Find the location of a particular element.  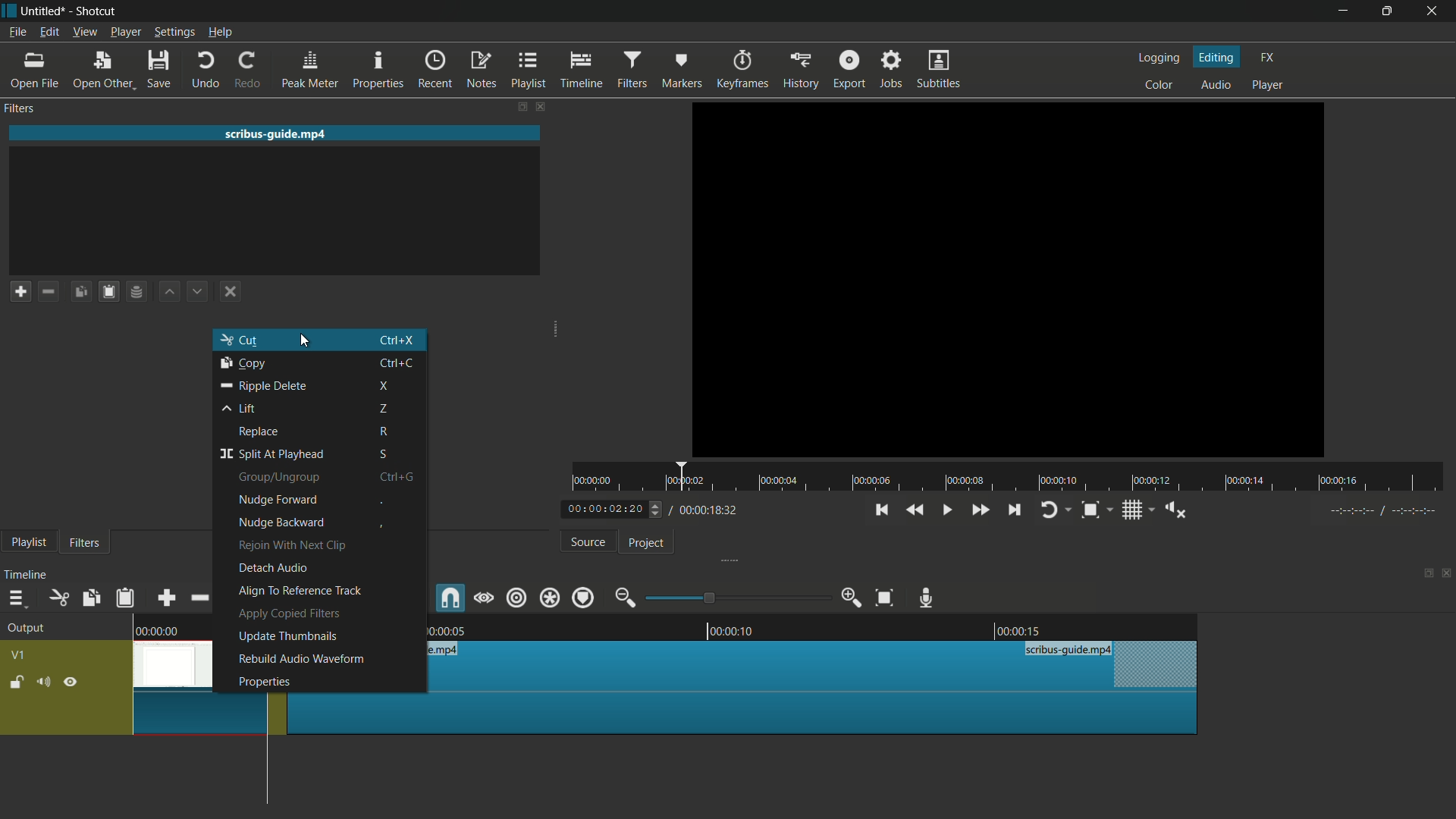

keyframes is located at coordinates (745, 71).